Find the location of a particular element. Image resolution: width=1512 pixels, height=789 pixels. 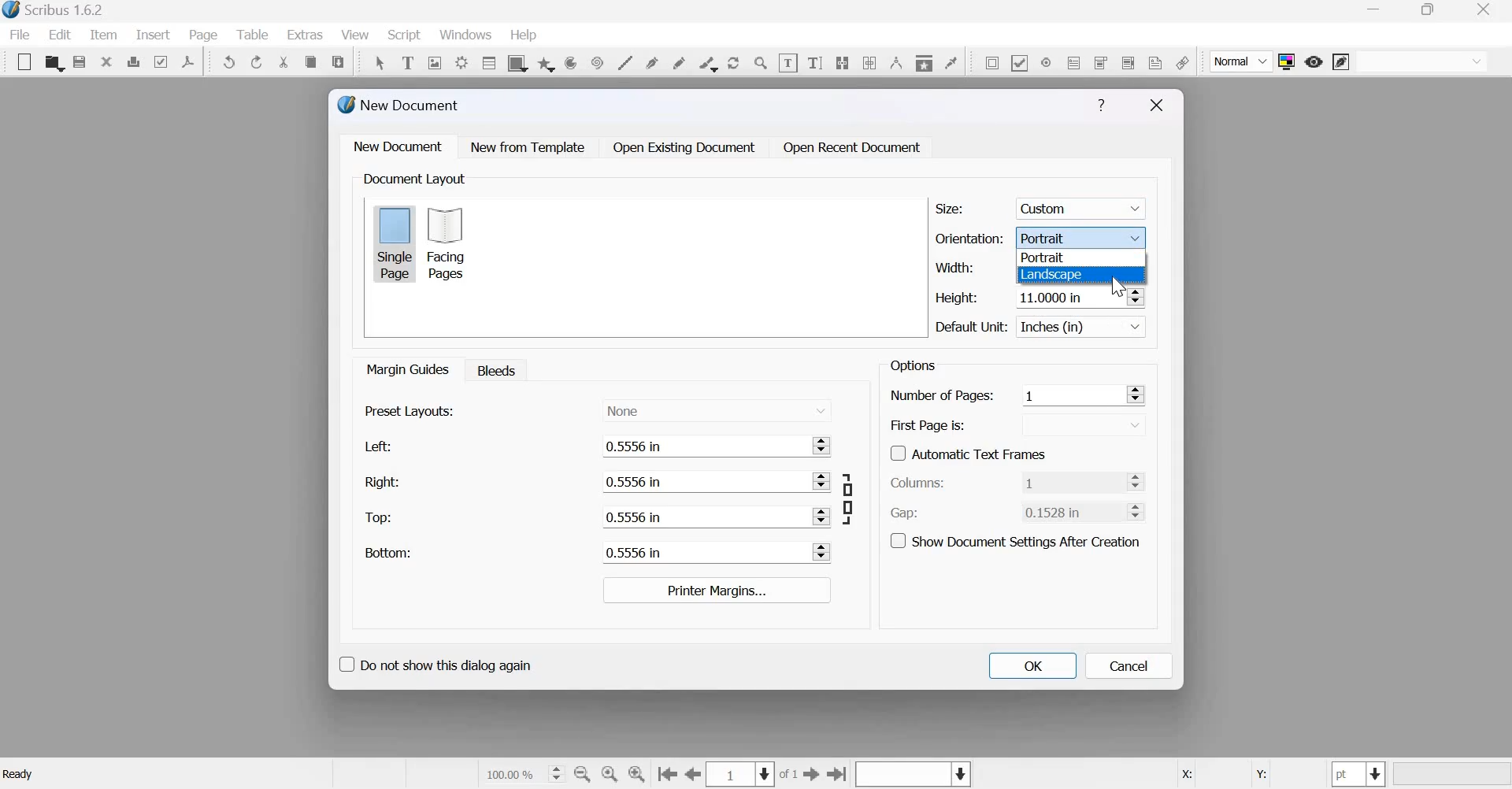

Close is located at coordinates (1157, 106).